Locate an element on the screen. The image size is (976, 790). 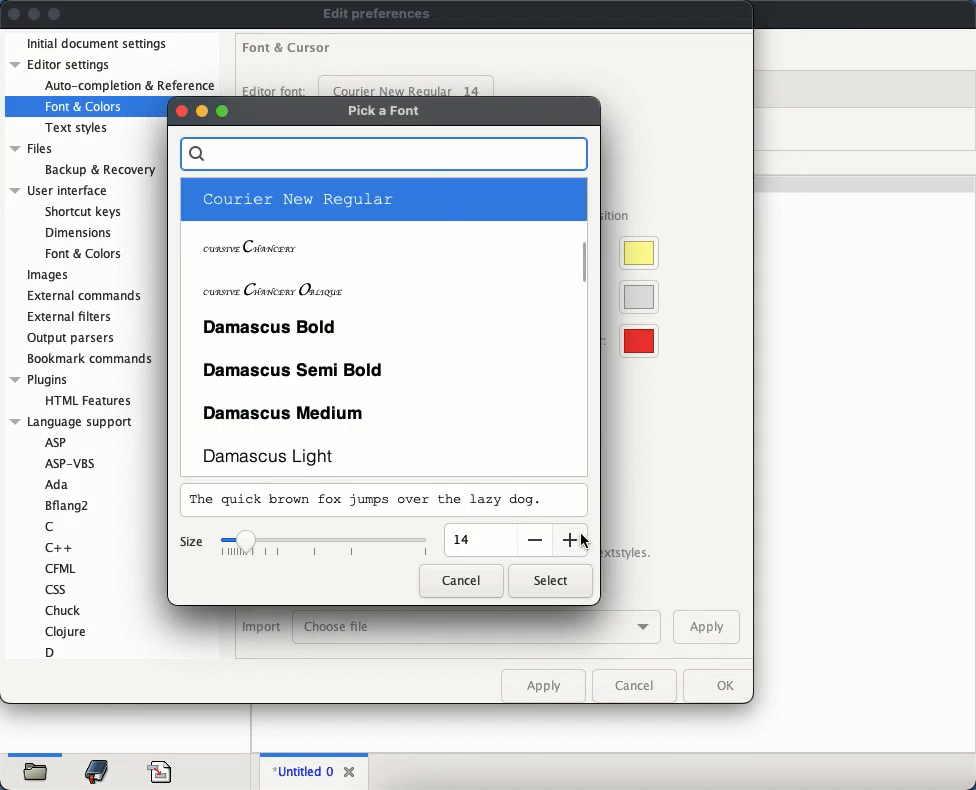
cursive chancery is located at coordinates (380, 243).